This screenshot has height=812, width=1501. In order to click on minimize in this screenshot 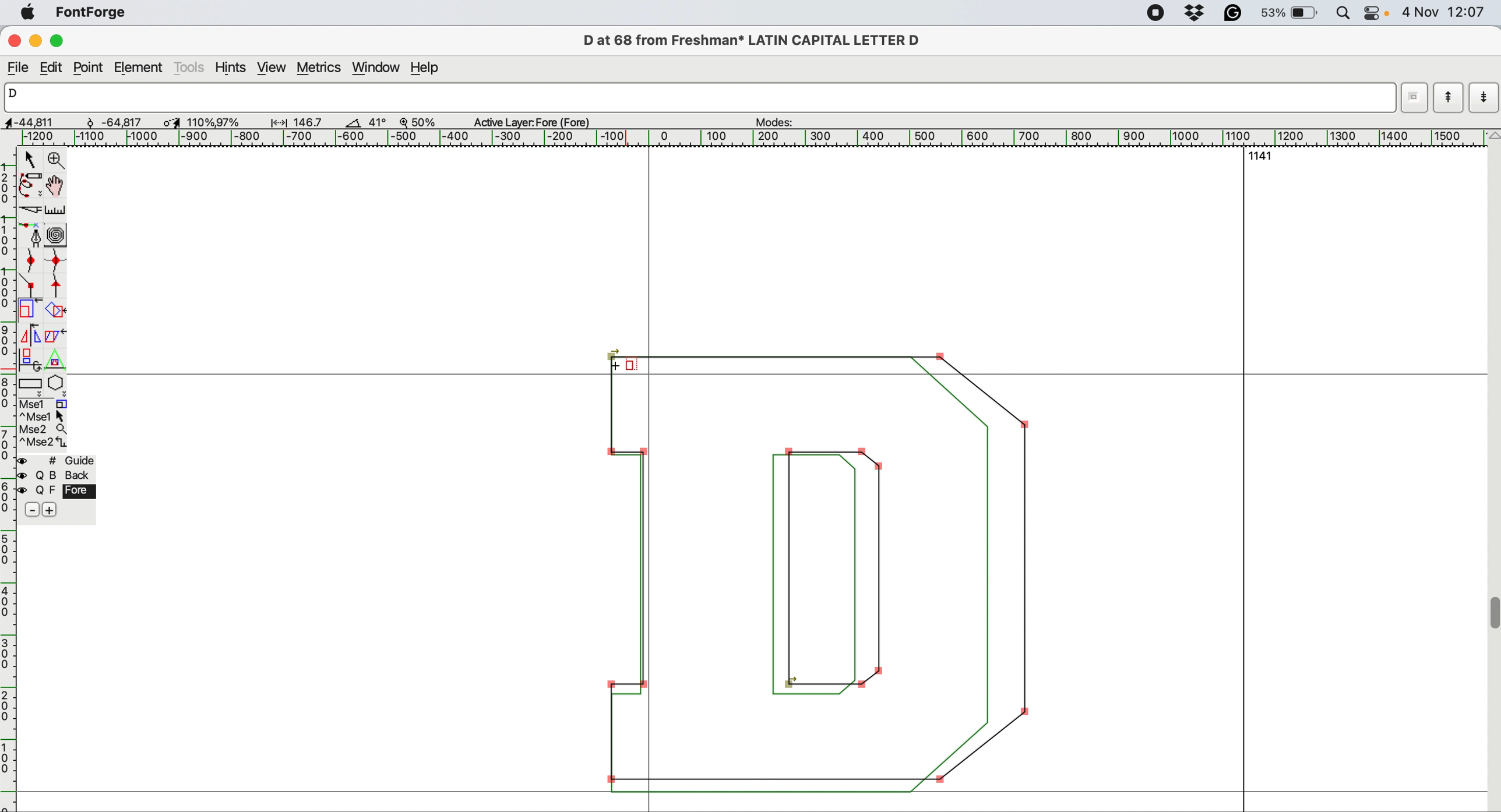, I will do `click(37, 41)`.